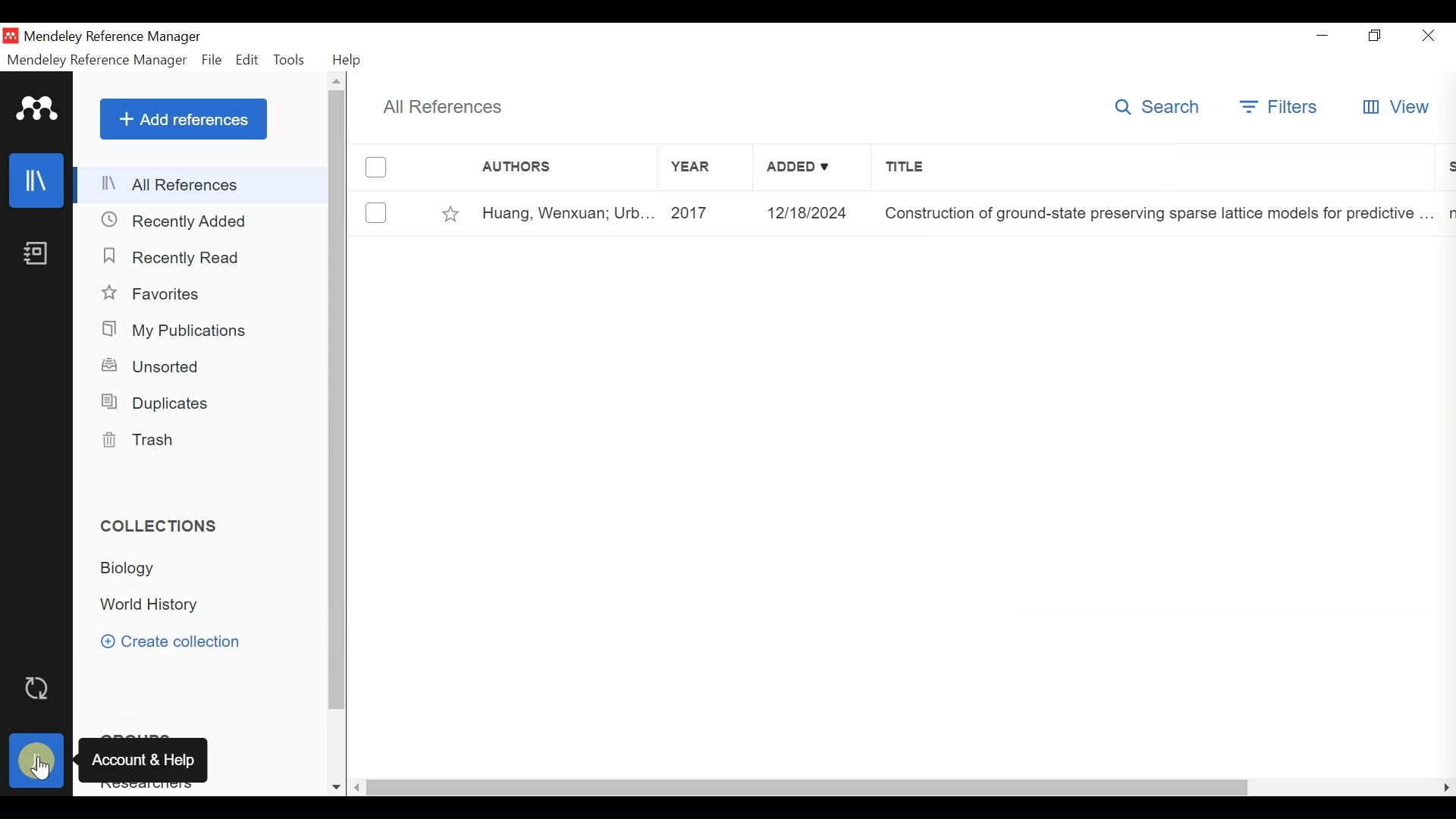 This screenshot has width=1456, height=819. What do you see at coordinates (37, 110) in the screenshot?
I see `Mendeley Logo` at bounding box center [37, 110].